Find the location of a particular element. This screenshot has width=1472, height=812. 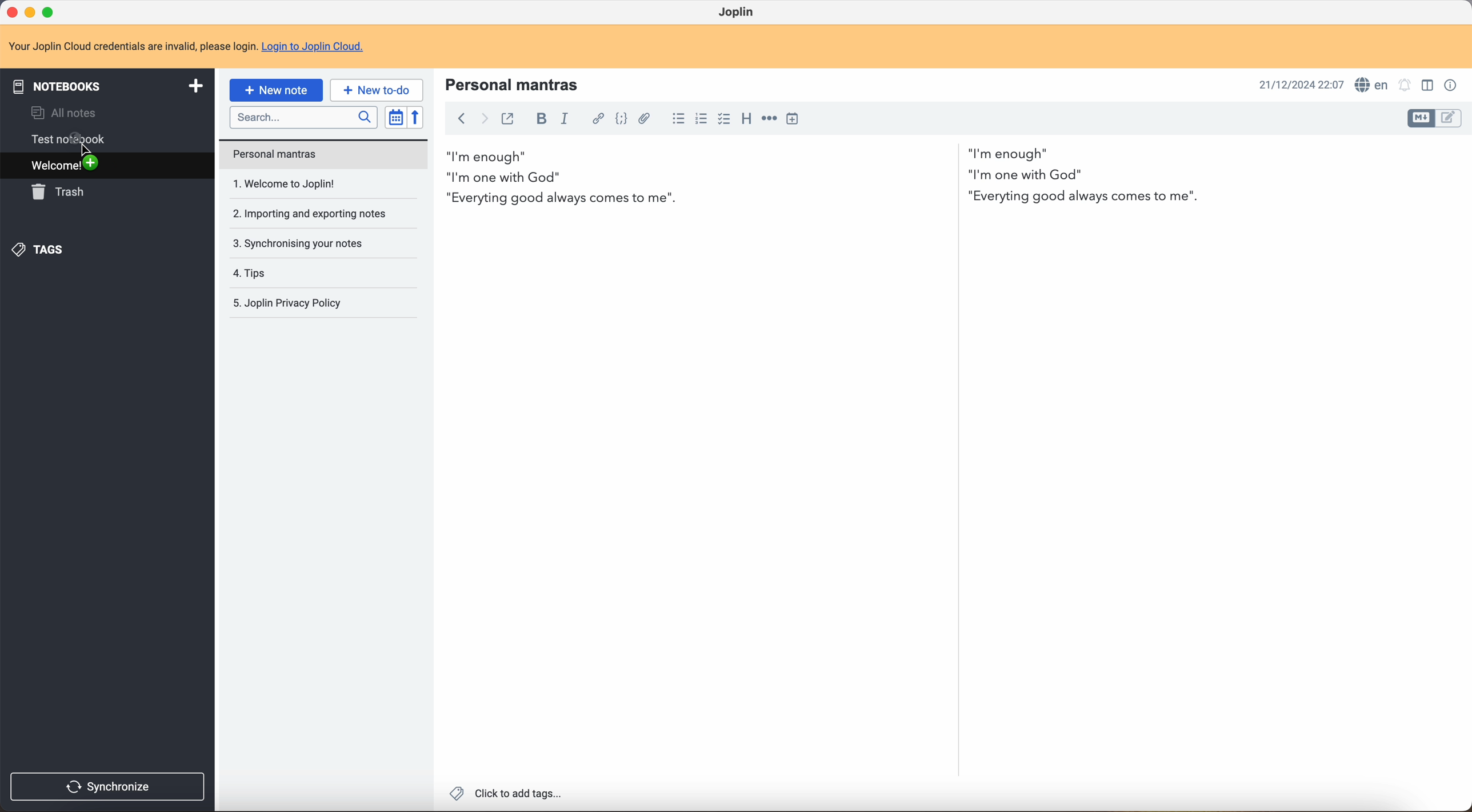

bulleted list is located at coordinates (677, 118).